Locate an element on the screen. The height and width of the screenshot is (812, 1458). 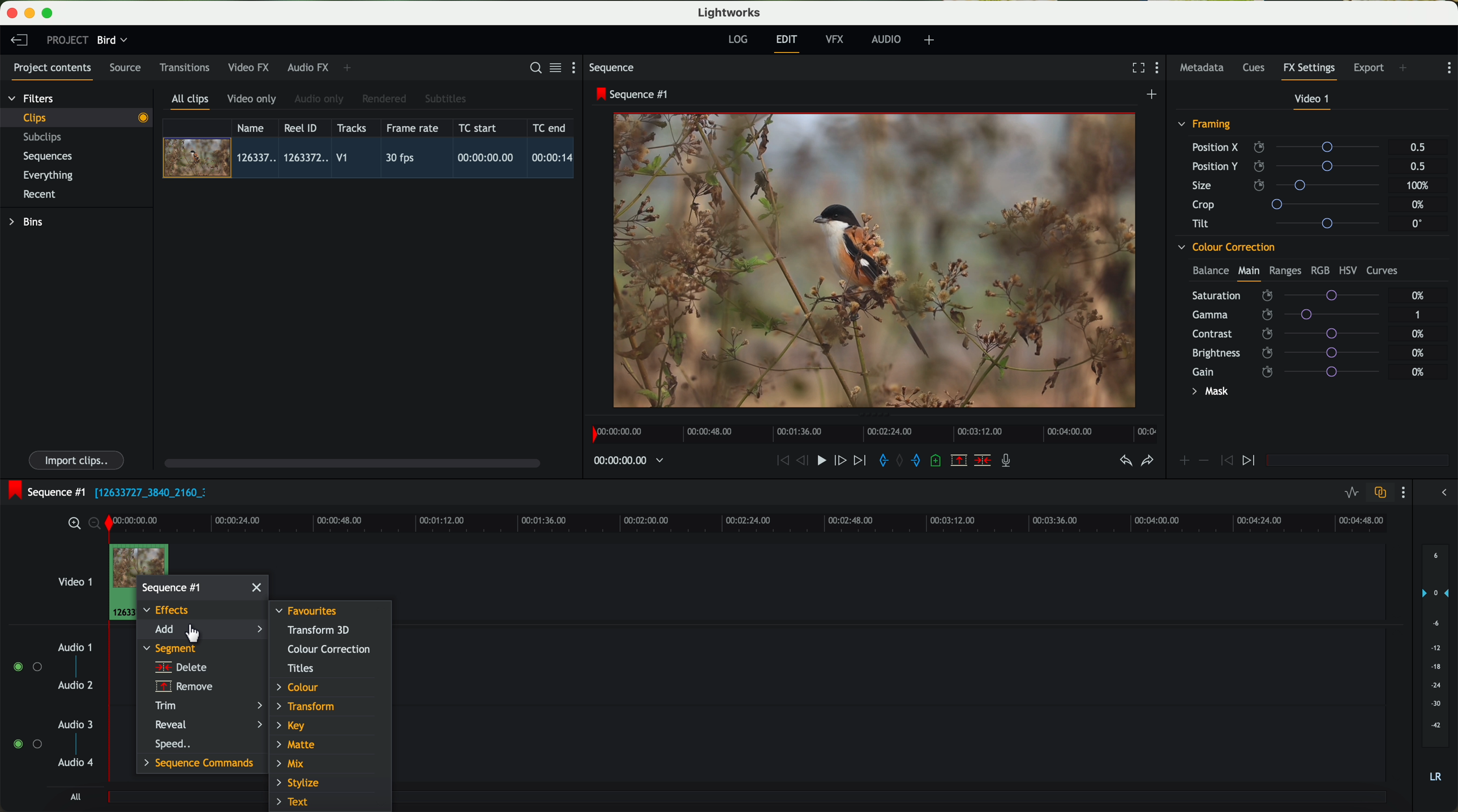
log is located at coordinates (737, 40).